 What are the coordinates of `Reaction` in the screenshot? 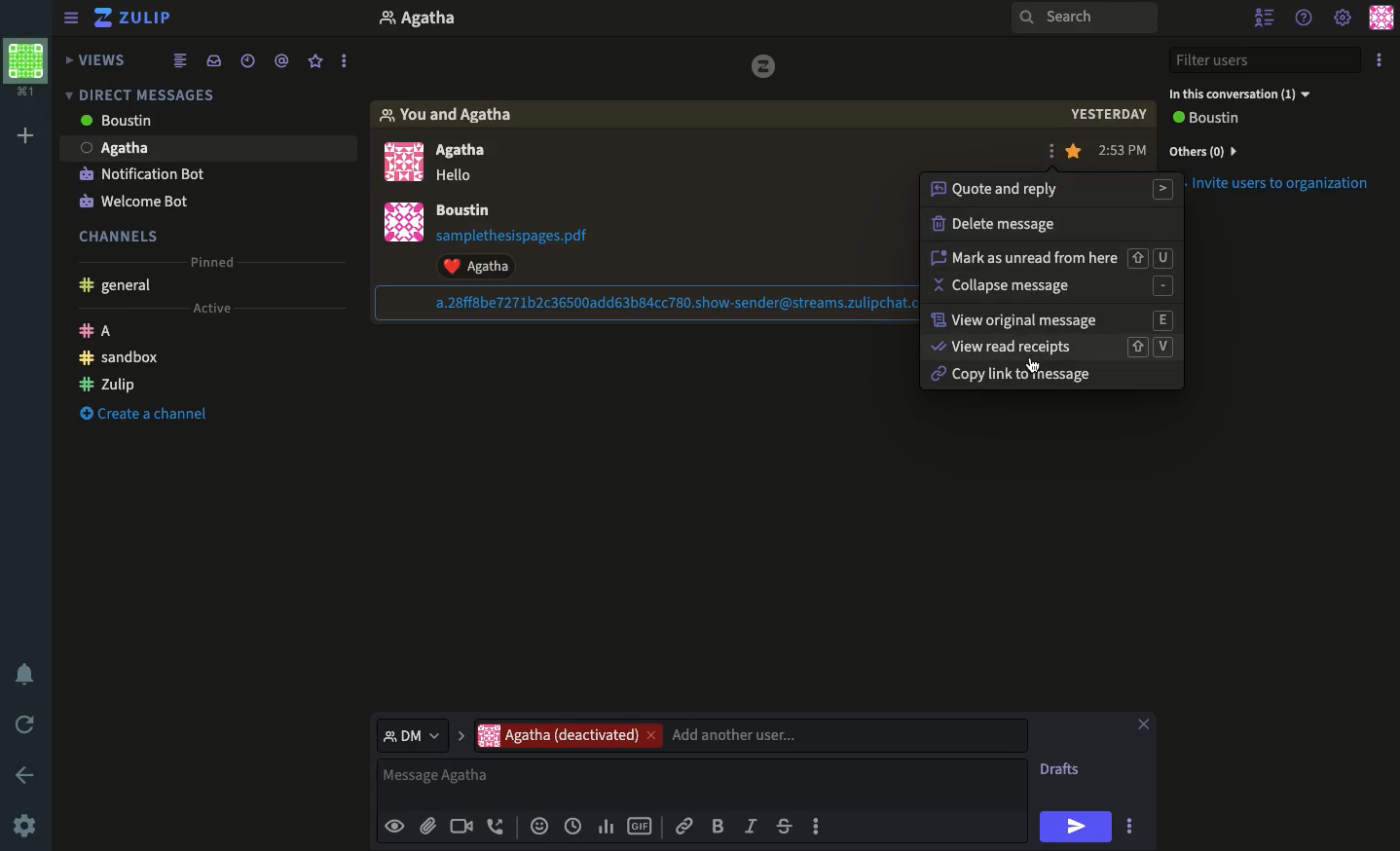 It's located at (487, 266).